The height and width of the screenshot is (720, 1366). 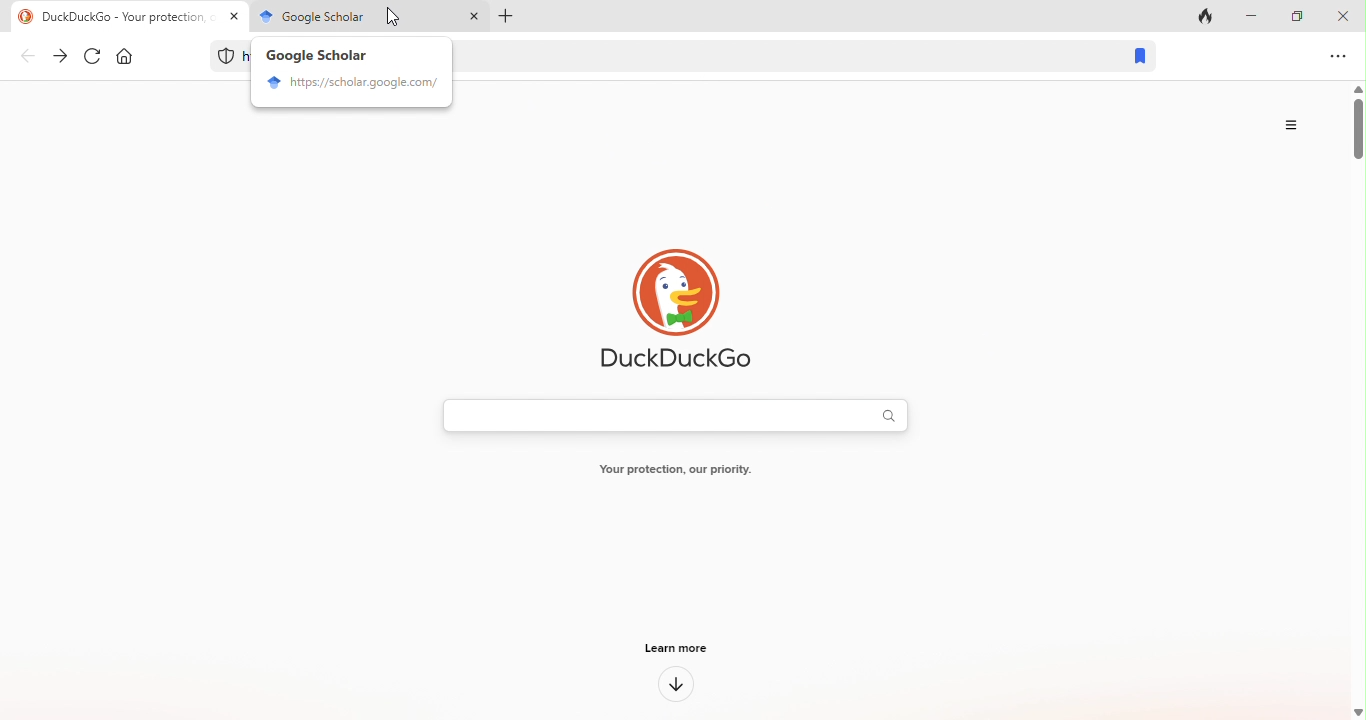 What do you see at coordinates (664, 472) in the screenshot?
I see `text` at bounding box center [664, 472].